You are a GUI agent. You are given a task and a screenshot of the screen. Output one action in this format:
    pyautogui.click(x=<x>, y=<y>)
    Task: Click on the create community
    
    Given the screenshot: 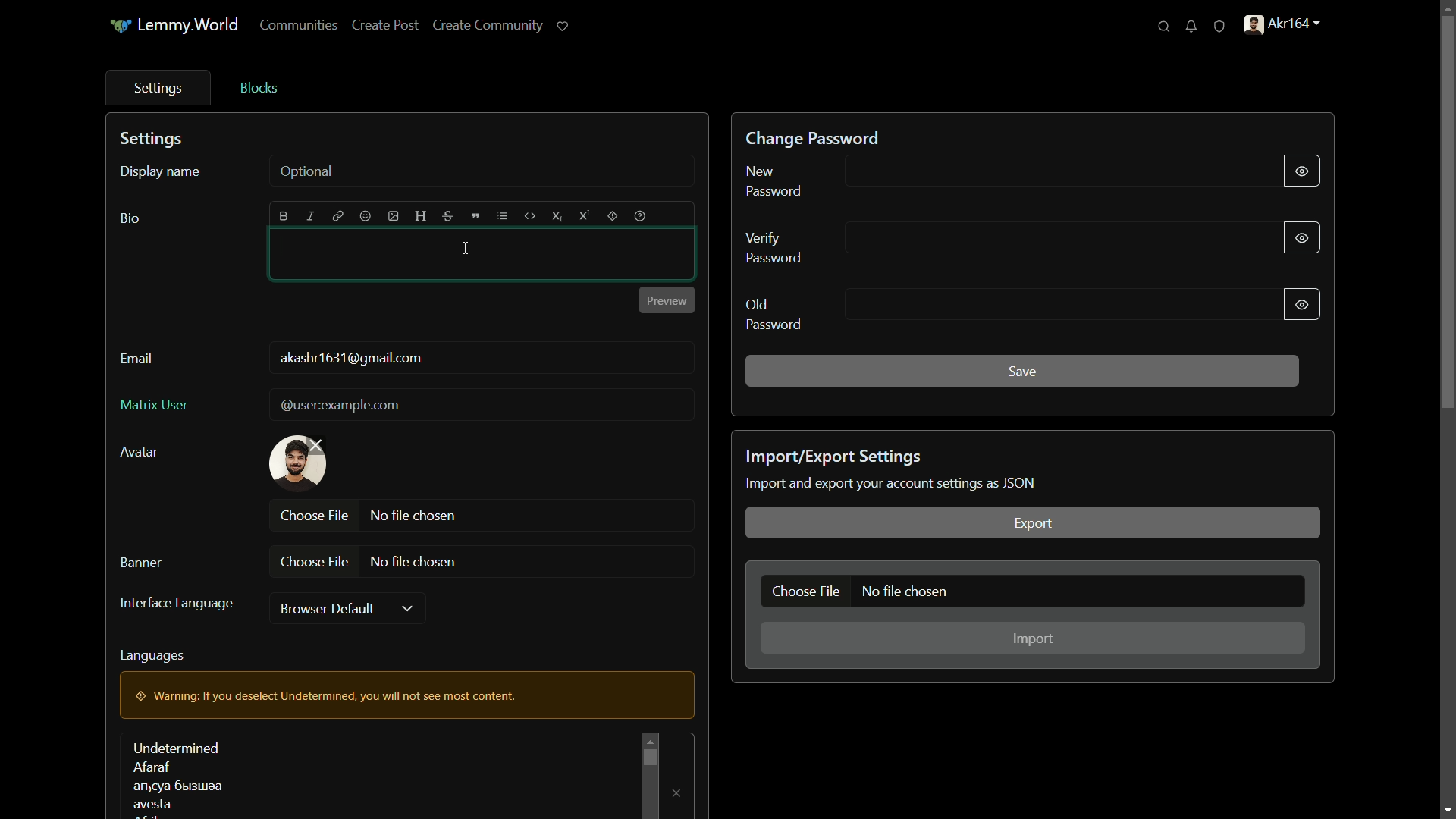 What is the action you would take?
    pyautogui.click(x=489, y=25)
    